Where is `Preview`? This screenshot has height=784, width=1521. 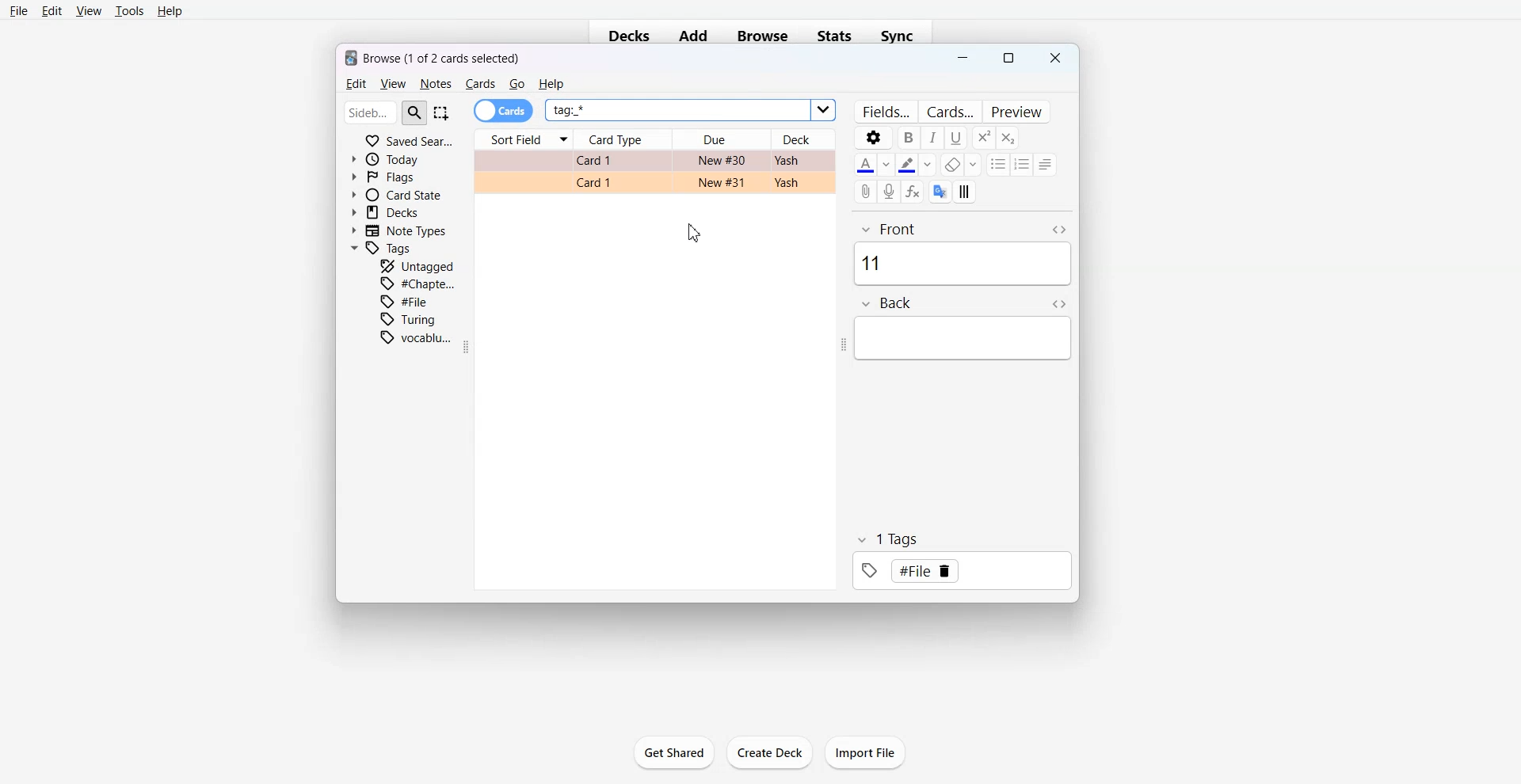 Preview is located at coordinates (1016, 111).